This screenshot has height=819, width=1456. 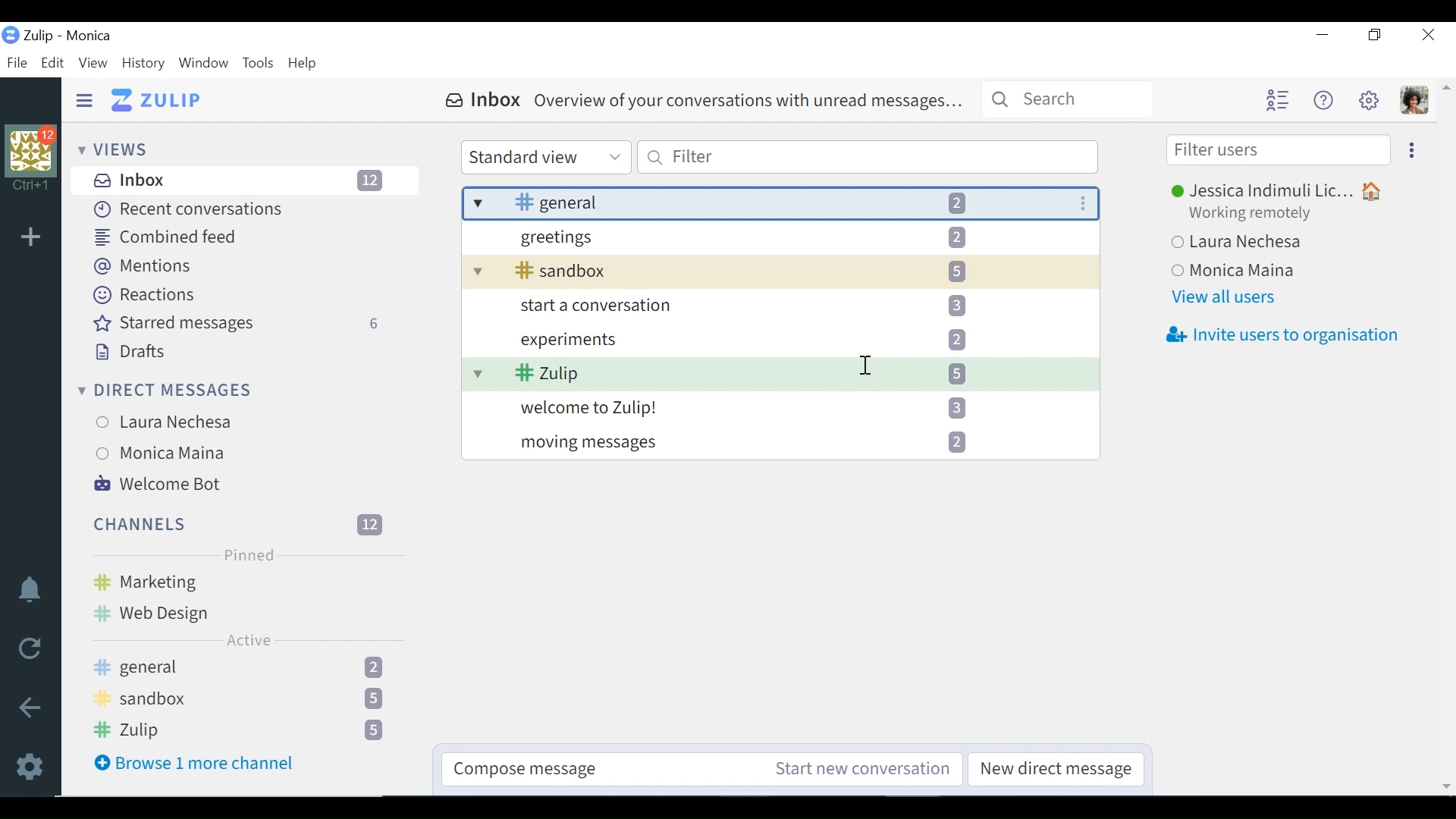 I want to click on Inbox, so click(x=248, y=180).